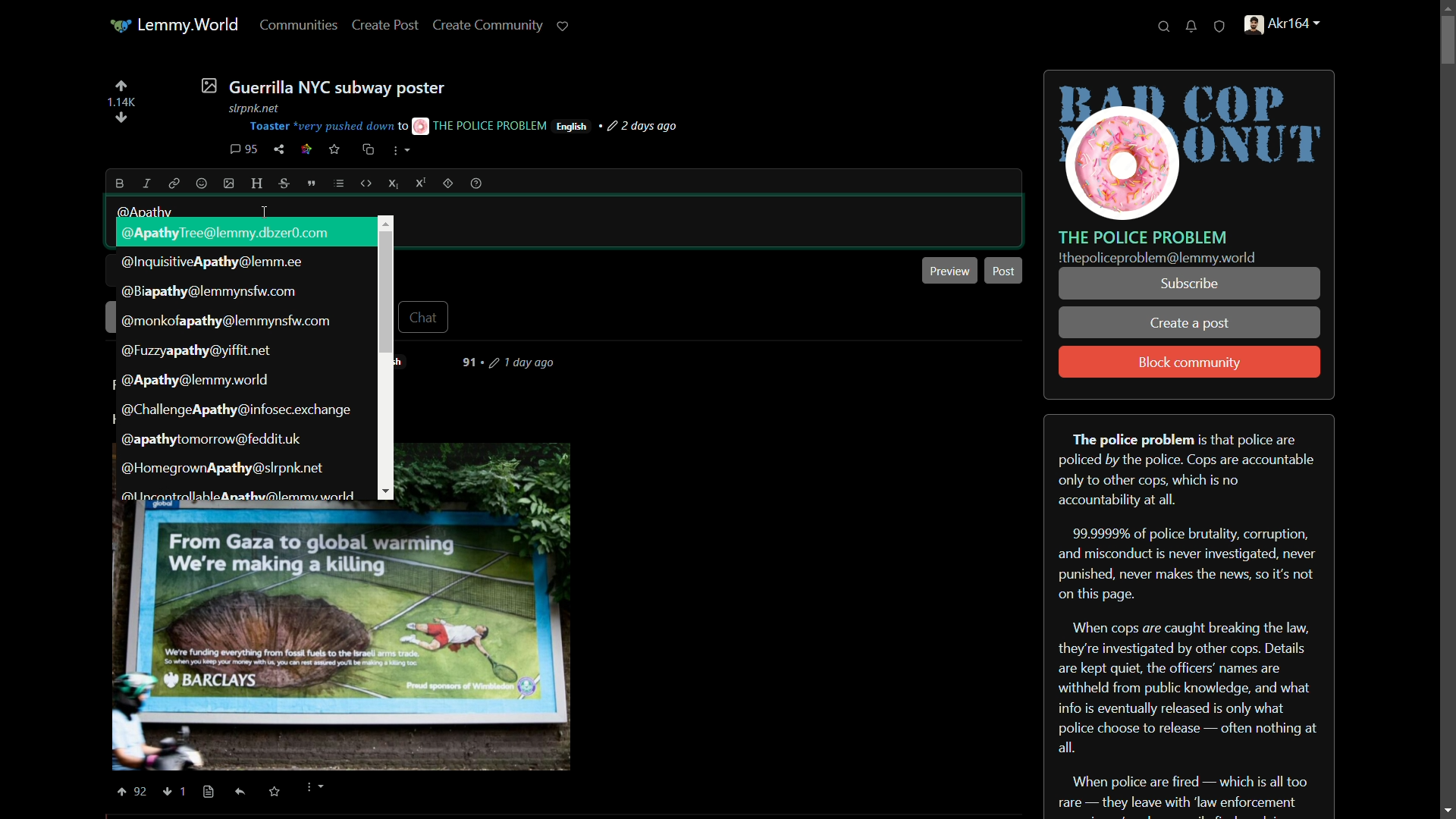 The width and height of the screenshot is (1456, 819). Describe the element at coordinates (1442, 9) in the screenshot. I see `scroll up` at that location.